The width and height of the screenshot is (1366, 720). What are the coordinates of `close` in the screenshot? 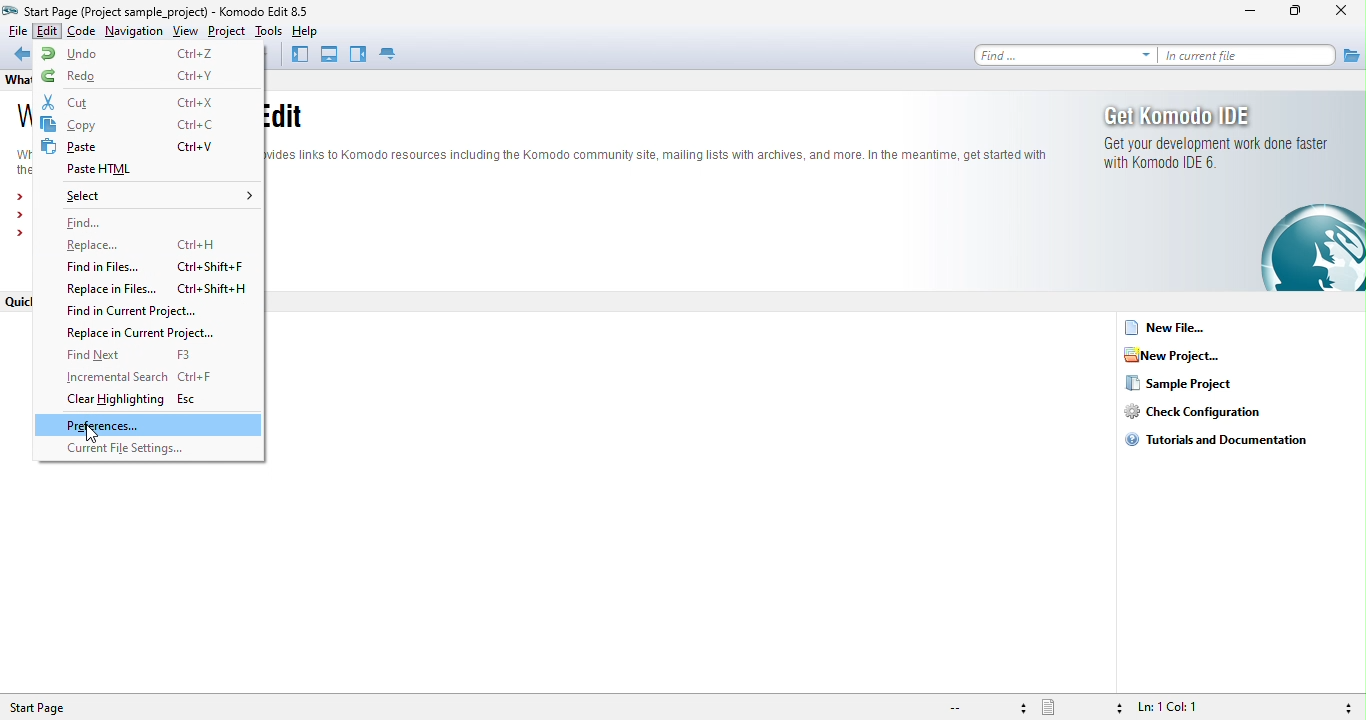 It's located at (1346, 12).